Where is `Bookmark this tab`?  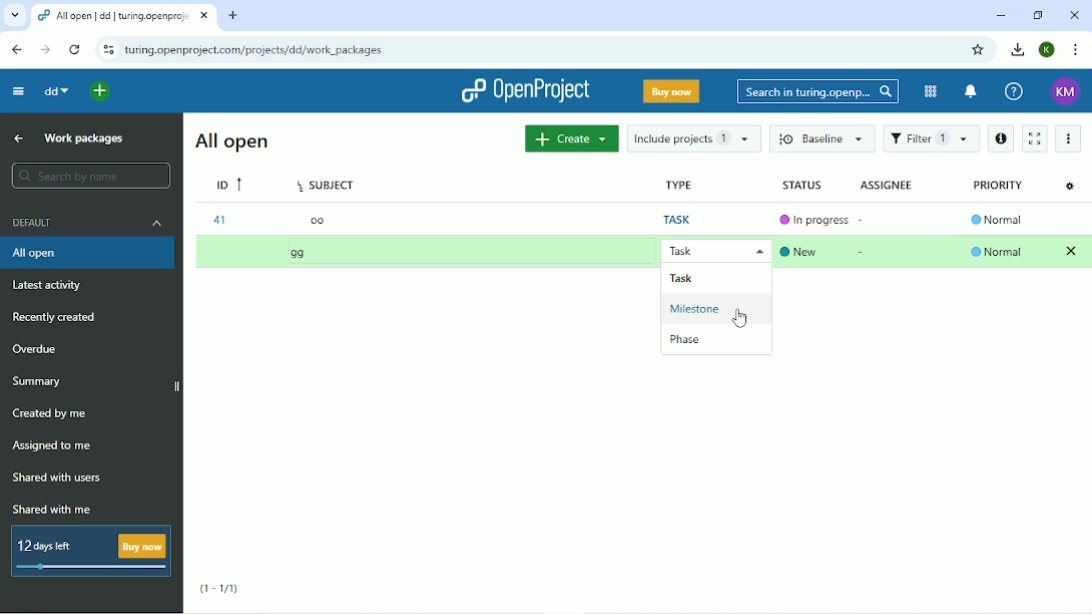 Bookmark this tab is located at coordinates (979, 50).